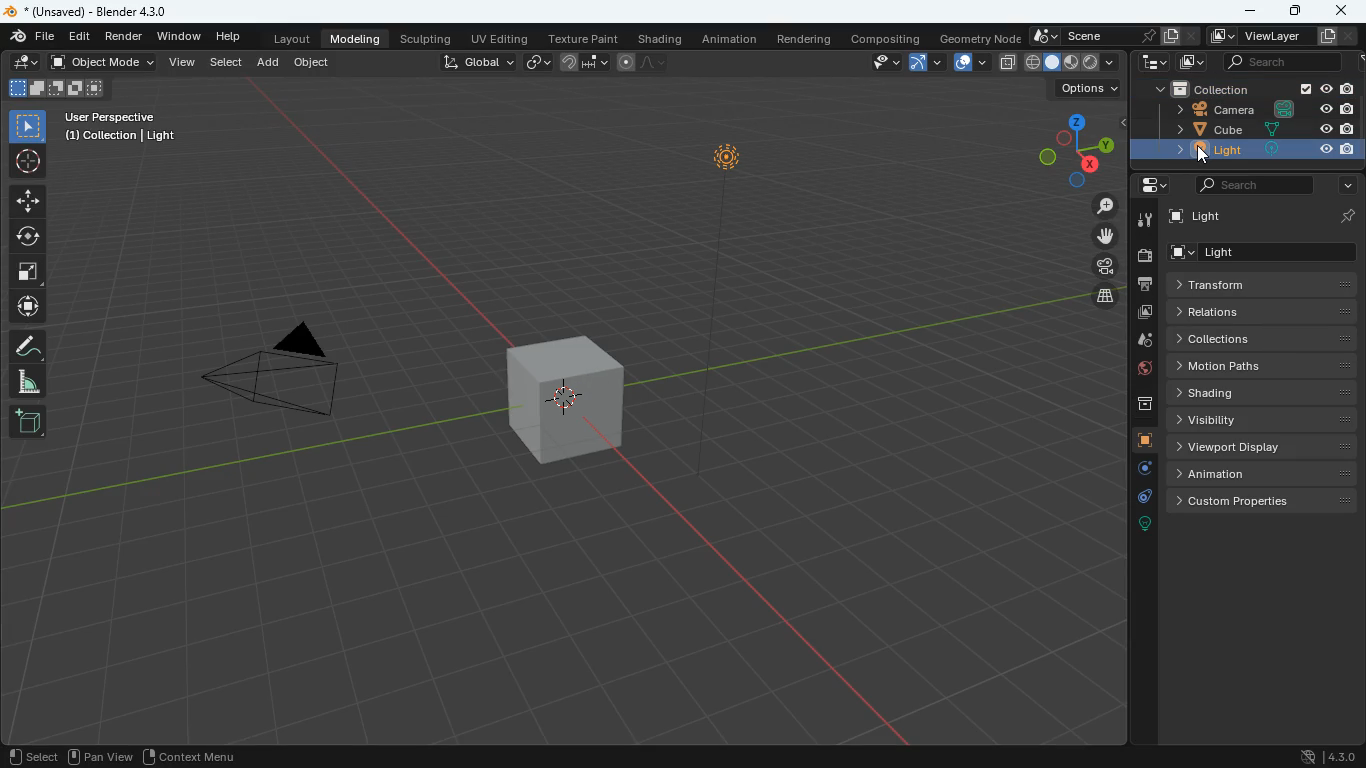 The height and width of the screenshot is (768, 1366). I want to click on Context menu, so click(201, 756).